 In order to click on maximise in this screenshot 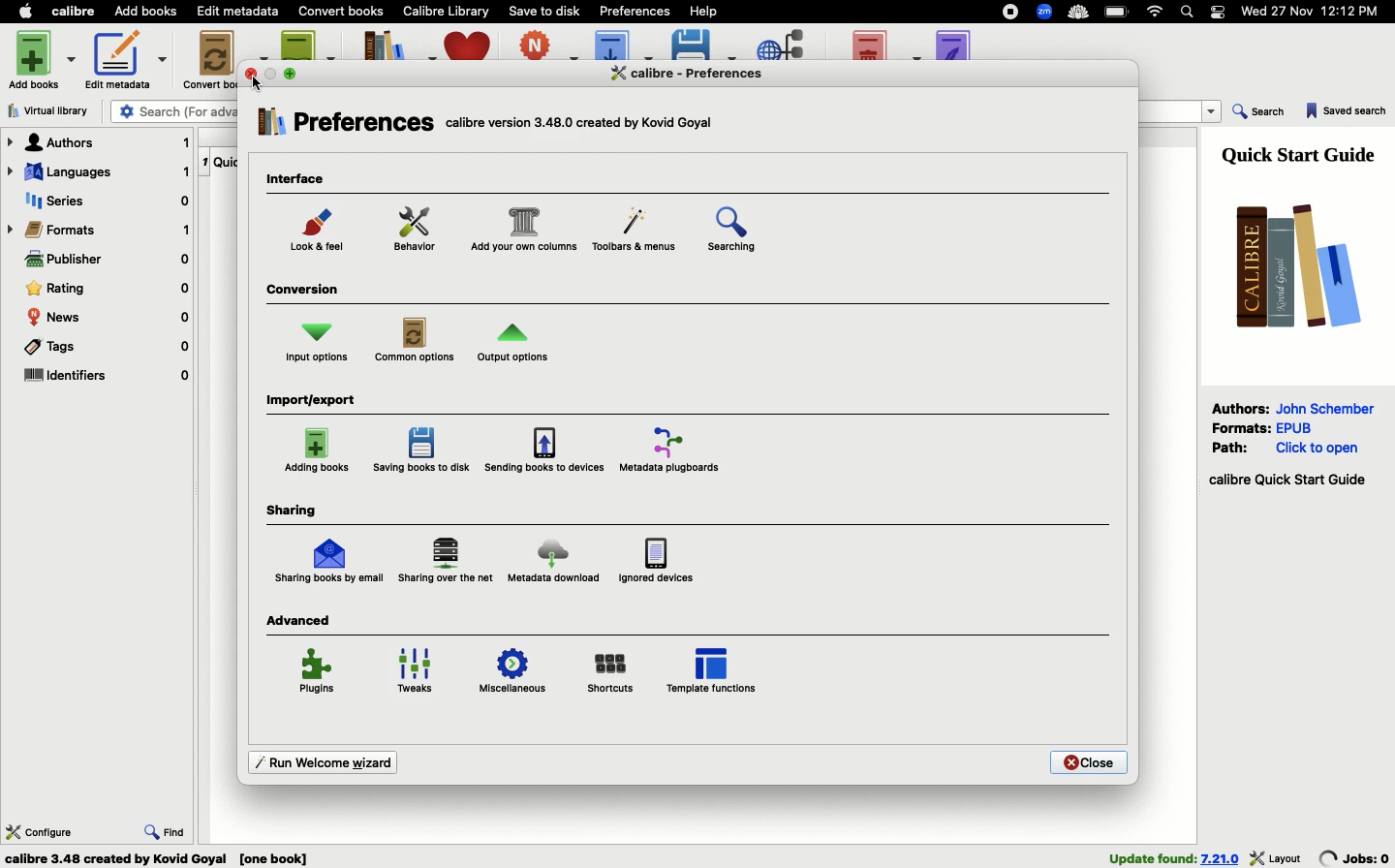, I will do `click(293, 73)`.